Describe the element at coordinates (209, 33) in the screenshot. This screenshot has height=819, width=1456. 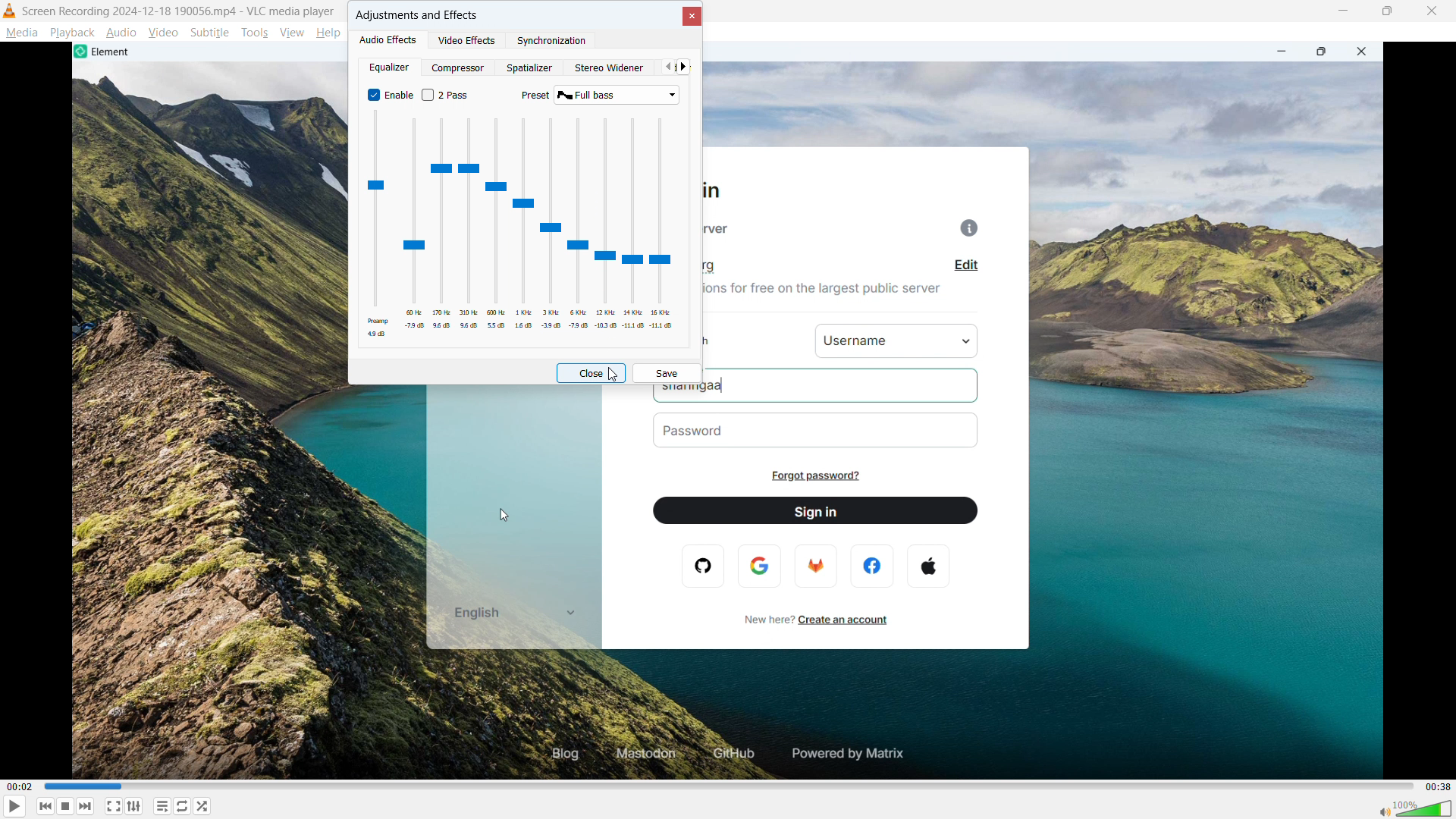
I see `Subtitle ` at that location.